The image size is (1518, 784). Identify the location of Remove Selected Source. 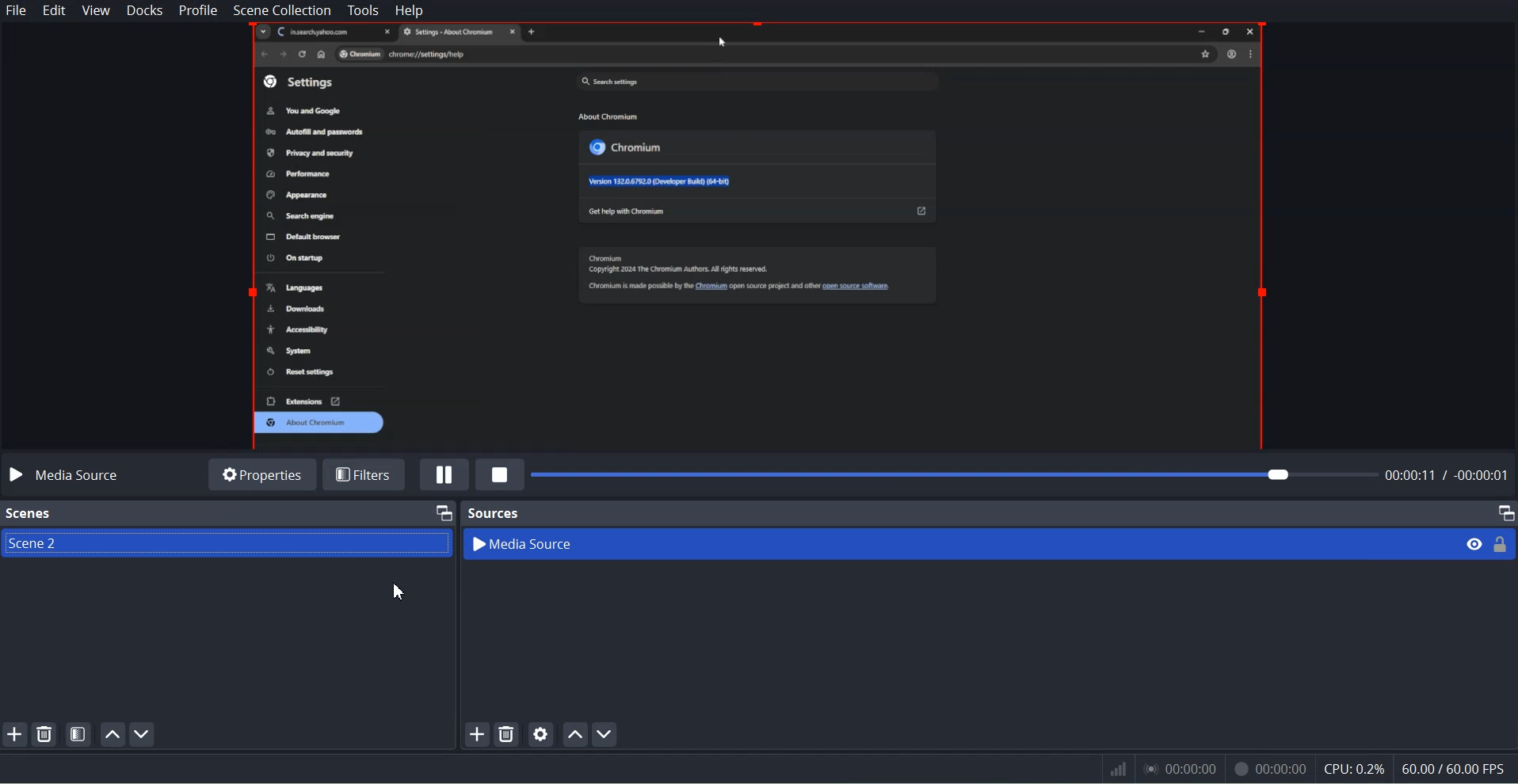
(507, 734).